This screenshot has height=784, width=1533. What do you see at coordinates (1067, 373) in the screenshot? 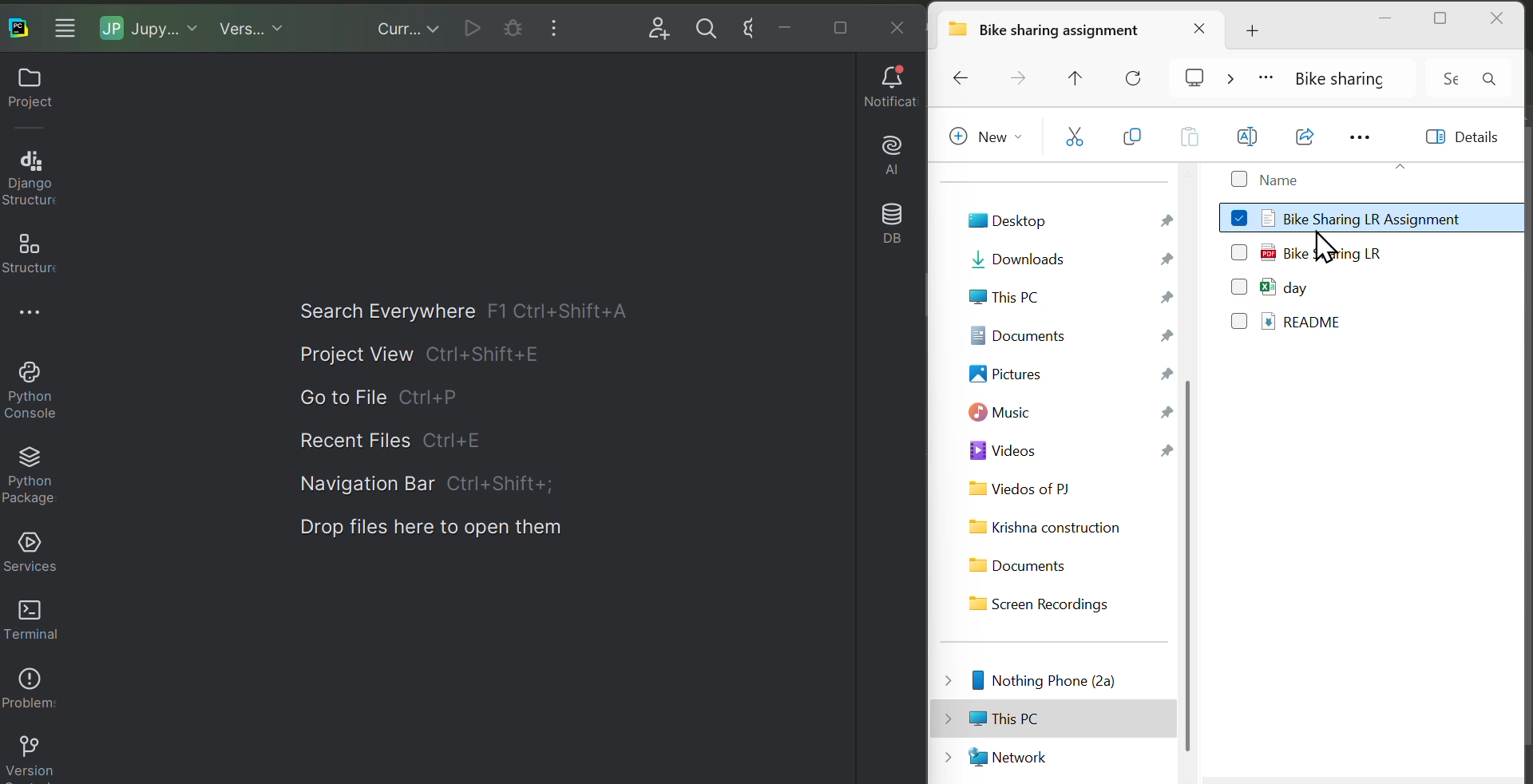
I see `Pictures` at bounding box center [1067, 373].